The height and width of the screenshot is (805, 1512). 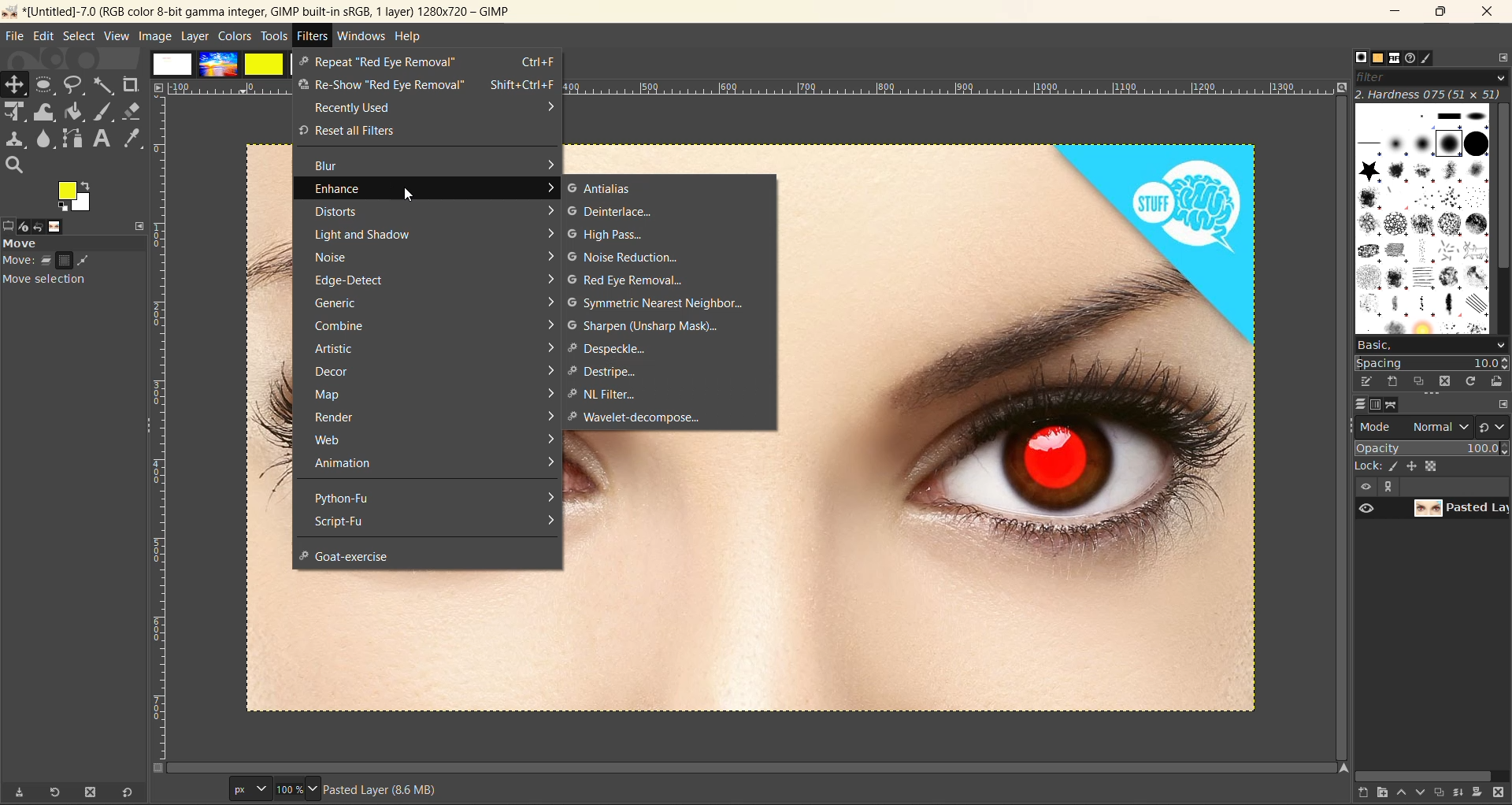 I want to click on expand, so click(x=1392, y=487).